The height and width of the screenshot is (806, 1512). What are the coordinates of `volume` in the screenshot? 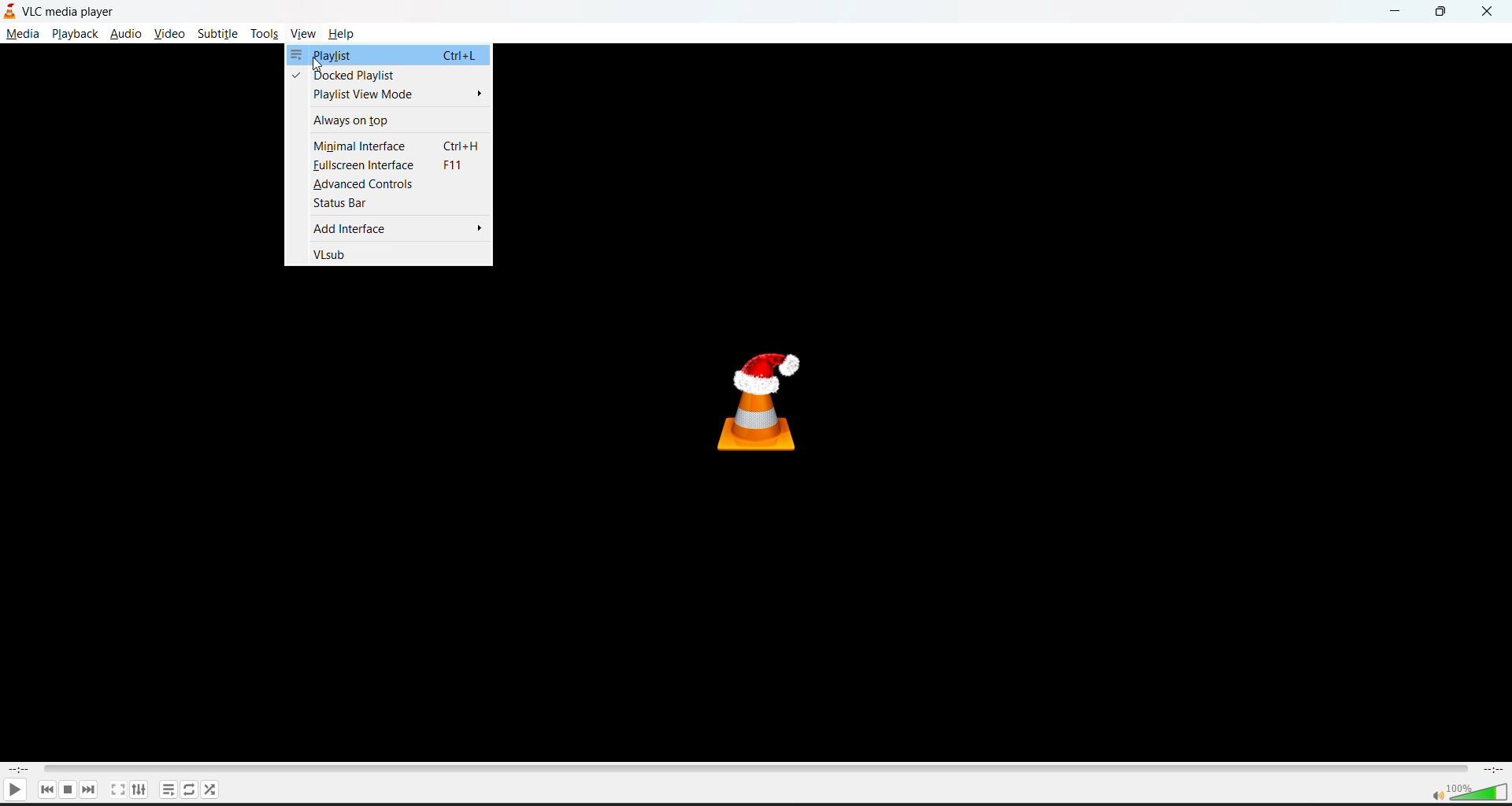 It's located at (1469, 792).